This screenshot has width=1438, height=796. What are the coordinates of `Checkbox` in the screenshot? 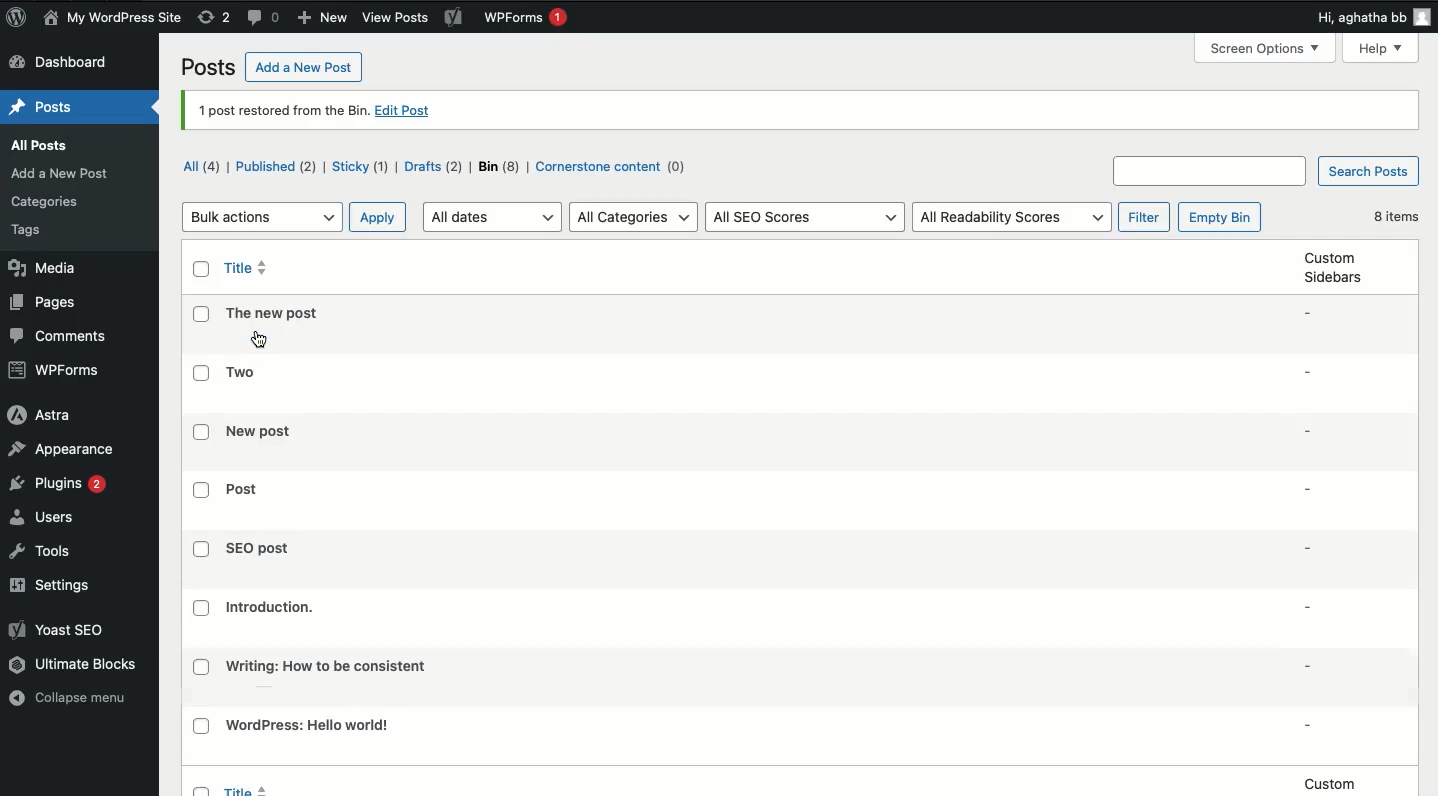 It's located at (202, 268).